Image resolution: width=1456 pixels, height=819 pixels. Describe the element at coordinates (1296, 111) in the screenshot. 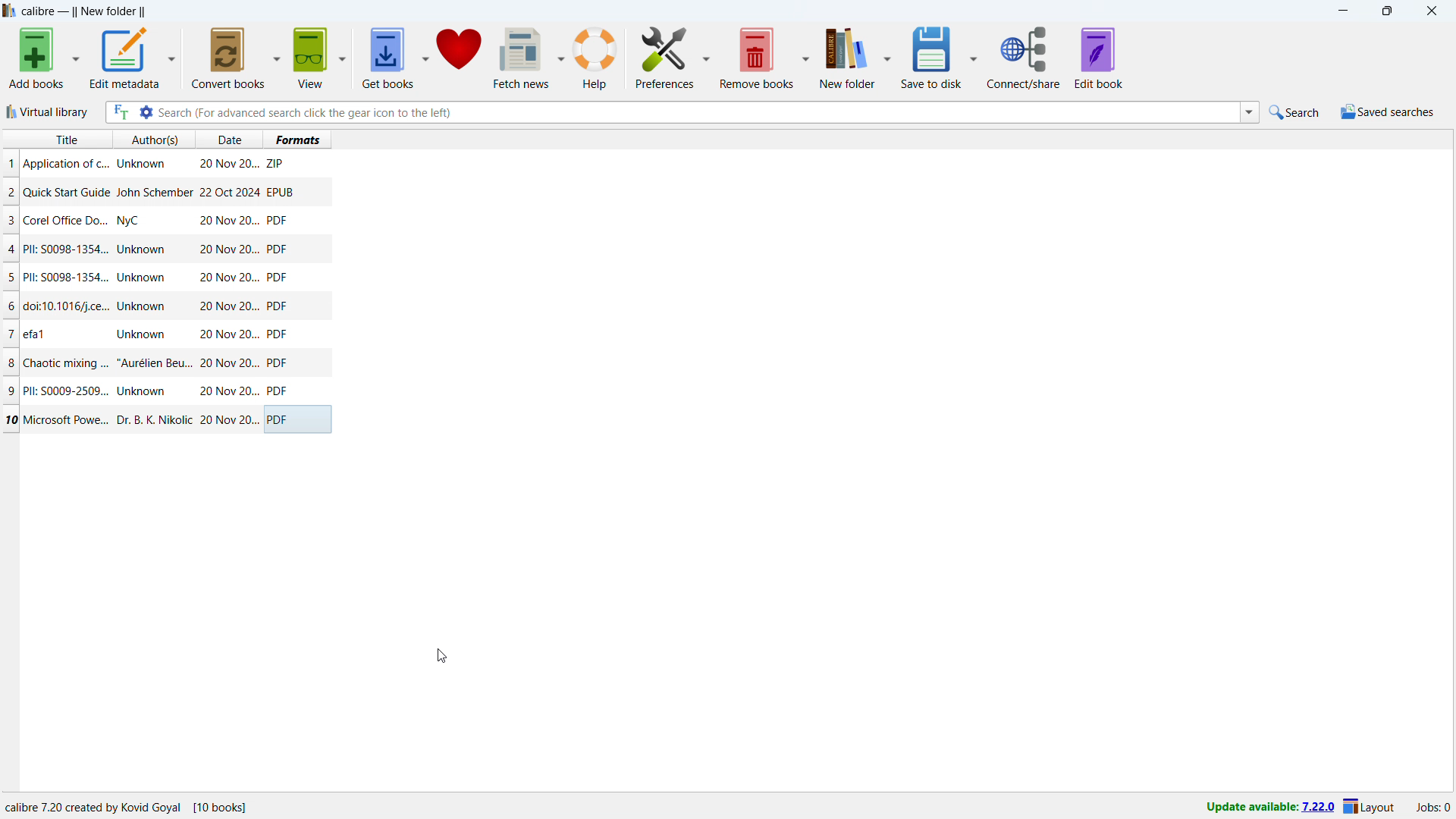

I see `search` at that location.